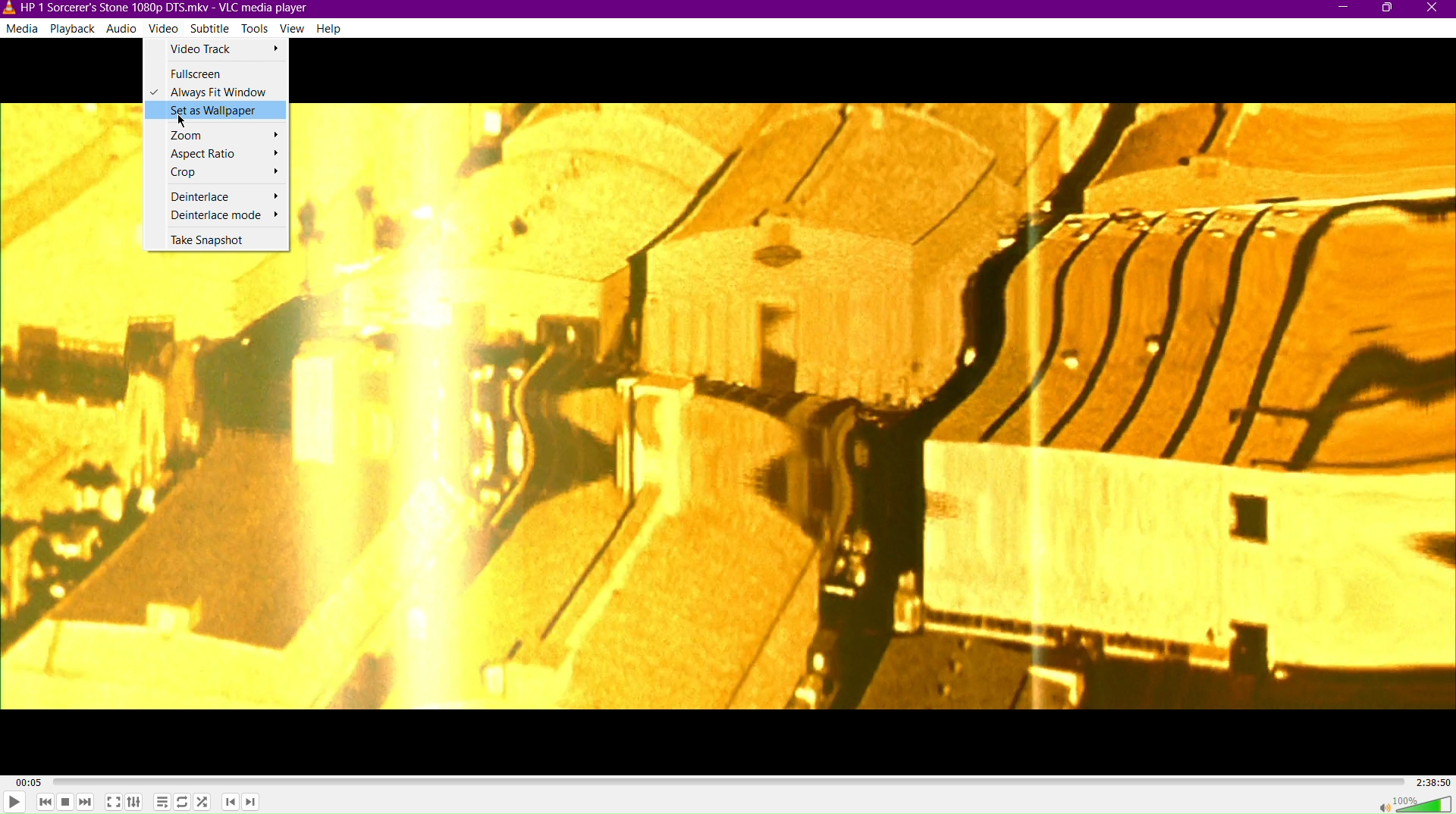  What do you see at coordinates (135, 804) in the screenshot?
I see `Controls` at bounding box center [135, 804].